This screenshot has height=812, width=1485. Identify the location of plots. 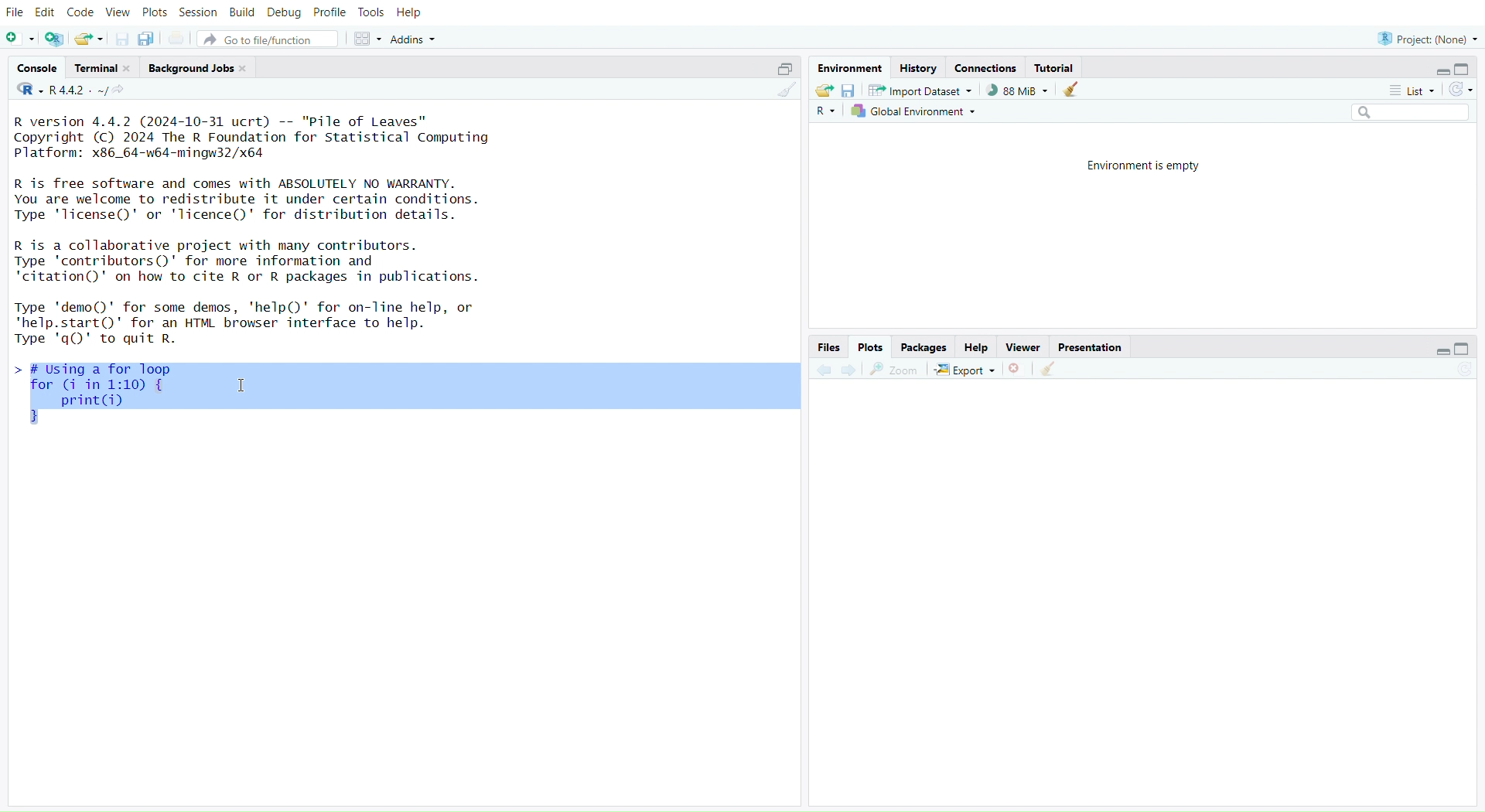
(870, 346).